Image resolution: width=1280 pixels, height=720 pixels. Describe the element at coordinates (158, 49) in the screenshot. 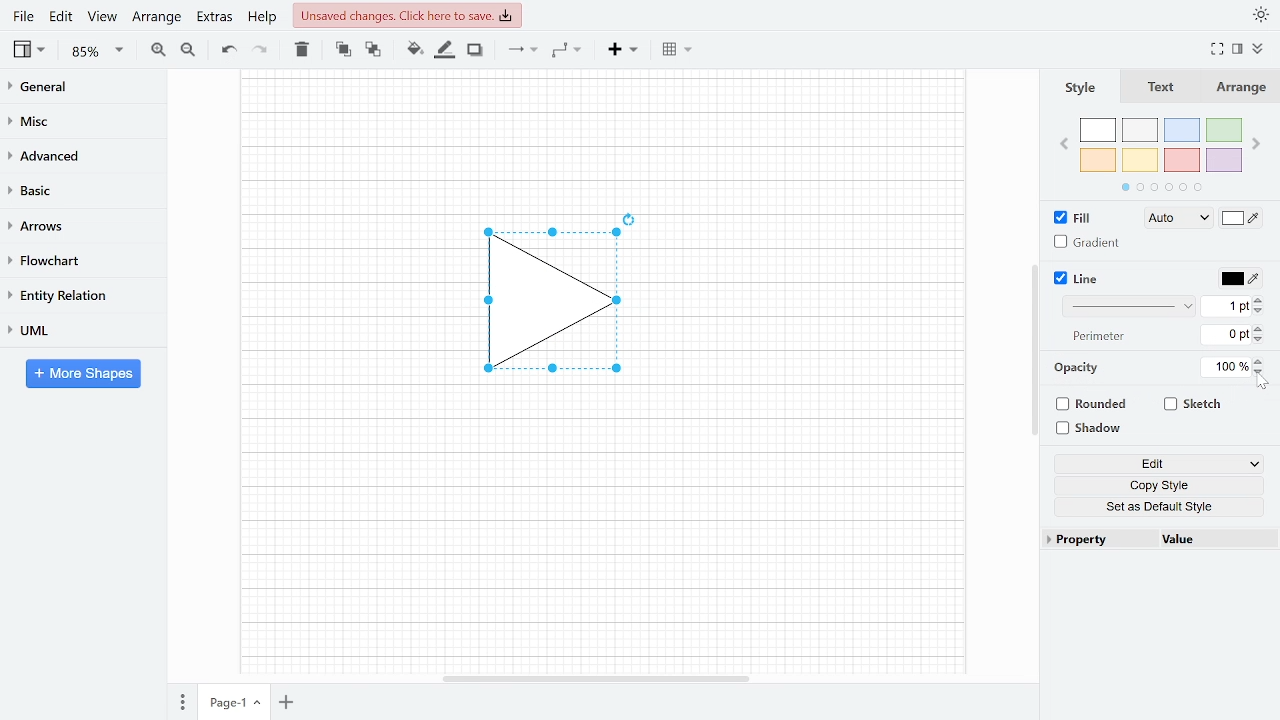

I see `Zoom in` at that location.